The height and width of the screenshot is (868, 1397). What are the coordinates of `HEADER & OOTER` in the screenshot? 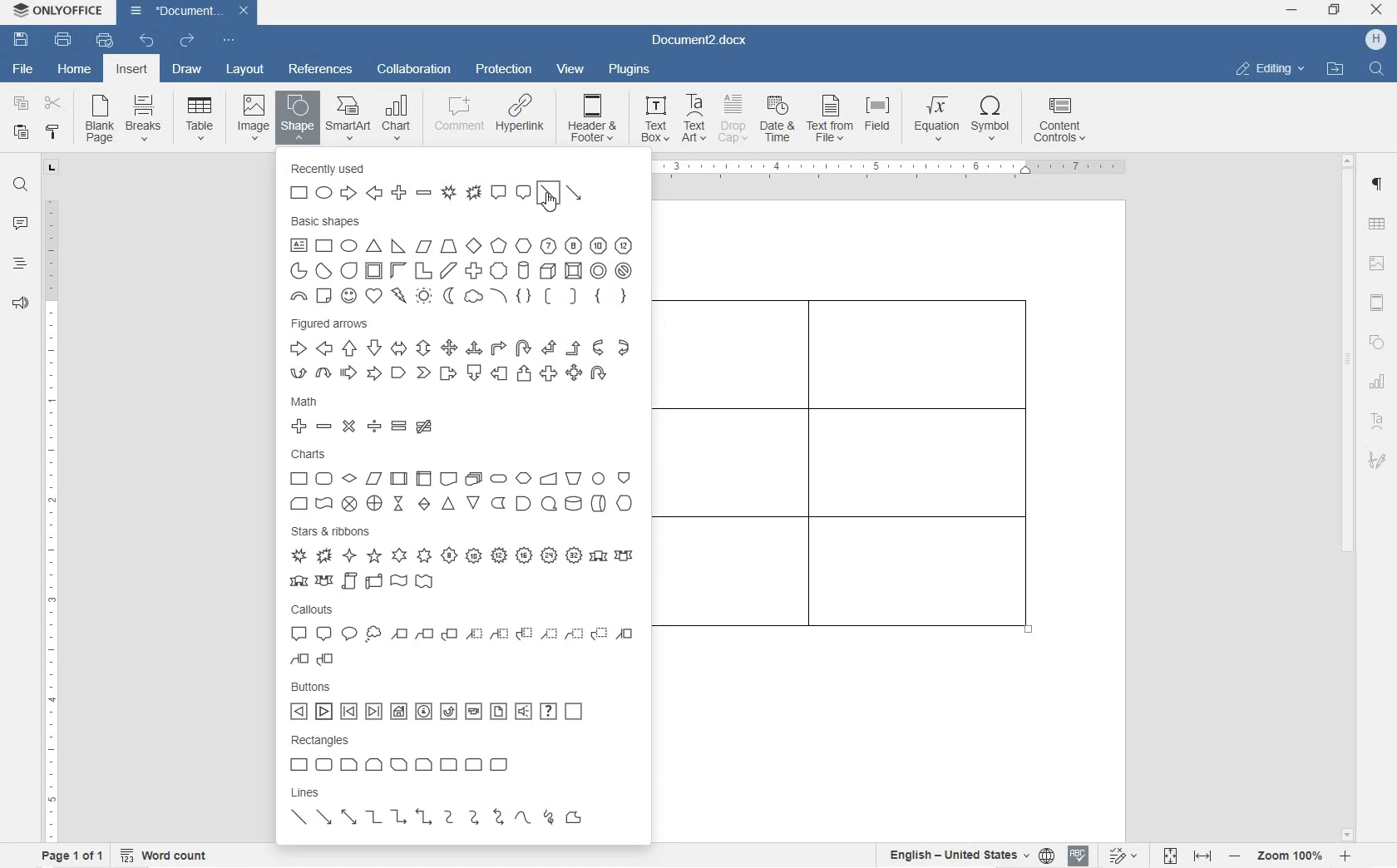 It's located at (593, 119).